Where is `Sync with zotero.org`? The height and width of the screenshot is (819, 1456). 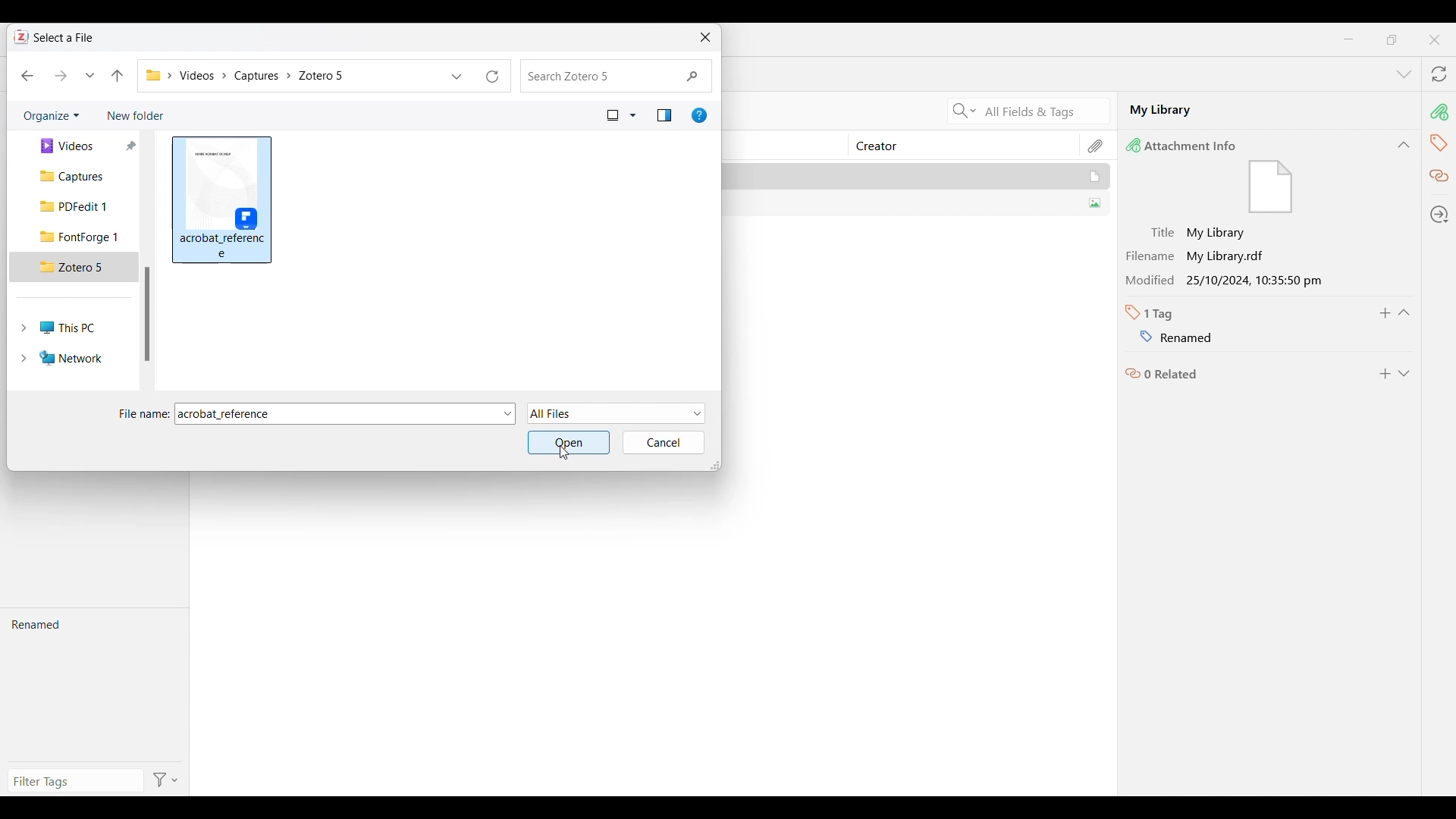
Sync with zotero.org is located at coordinates (1439, 74).